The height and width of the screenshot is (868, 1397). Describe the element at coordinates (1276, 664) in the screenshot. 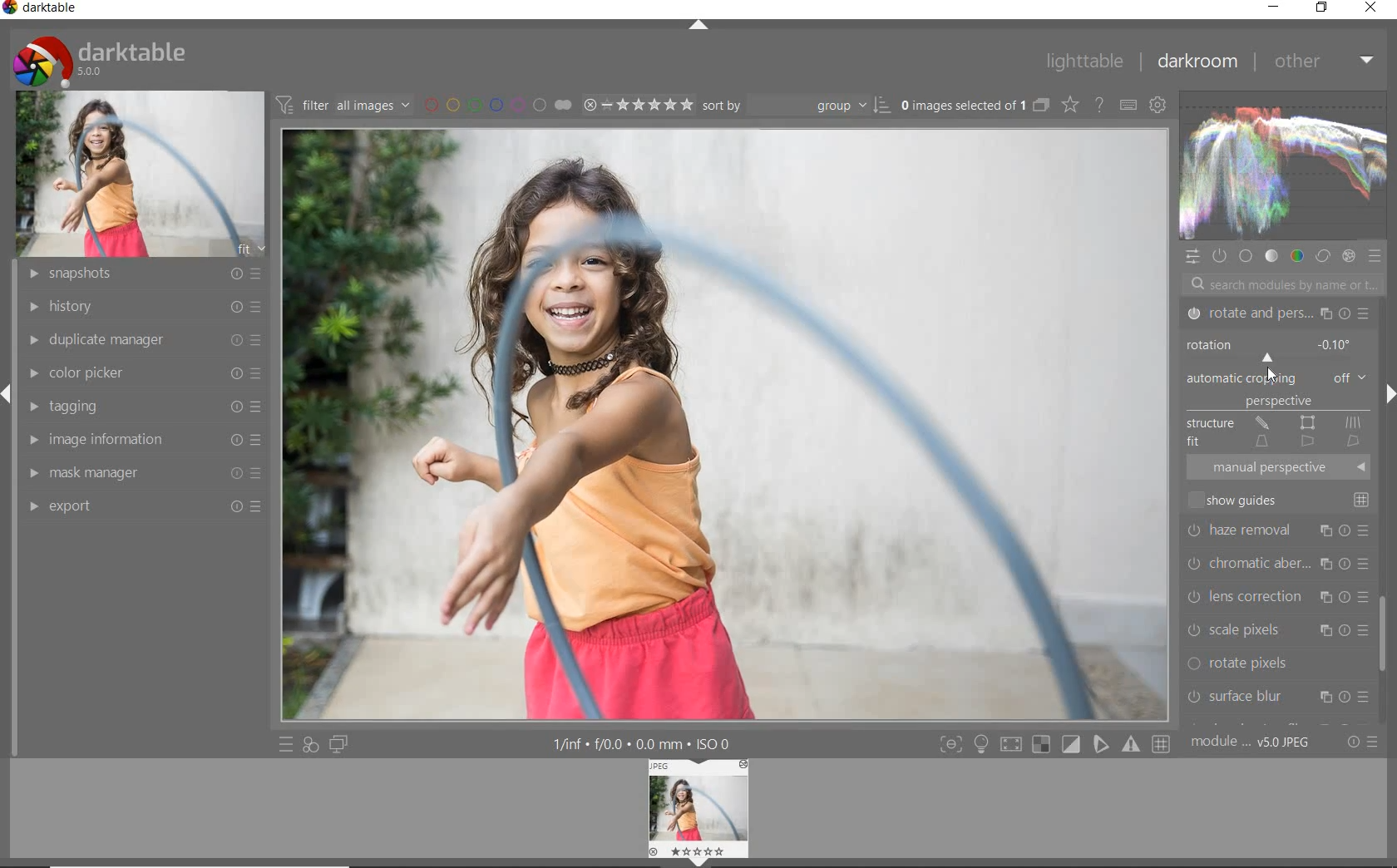

I see `rotate pixels` at that location.